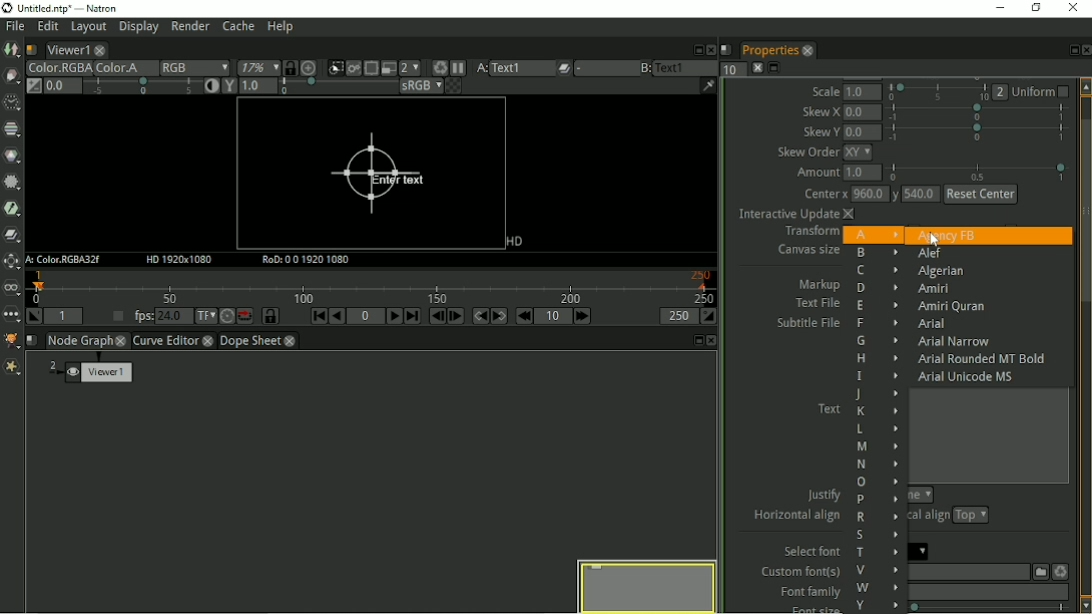 Image resolution: width=1092 pixels, height=614 pixels. I want to click on Display, so click(138, 29).